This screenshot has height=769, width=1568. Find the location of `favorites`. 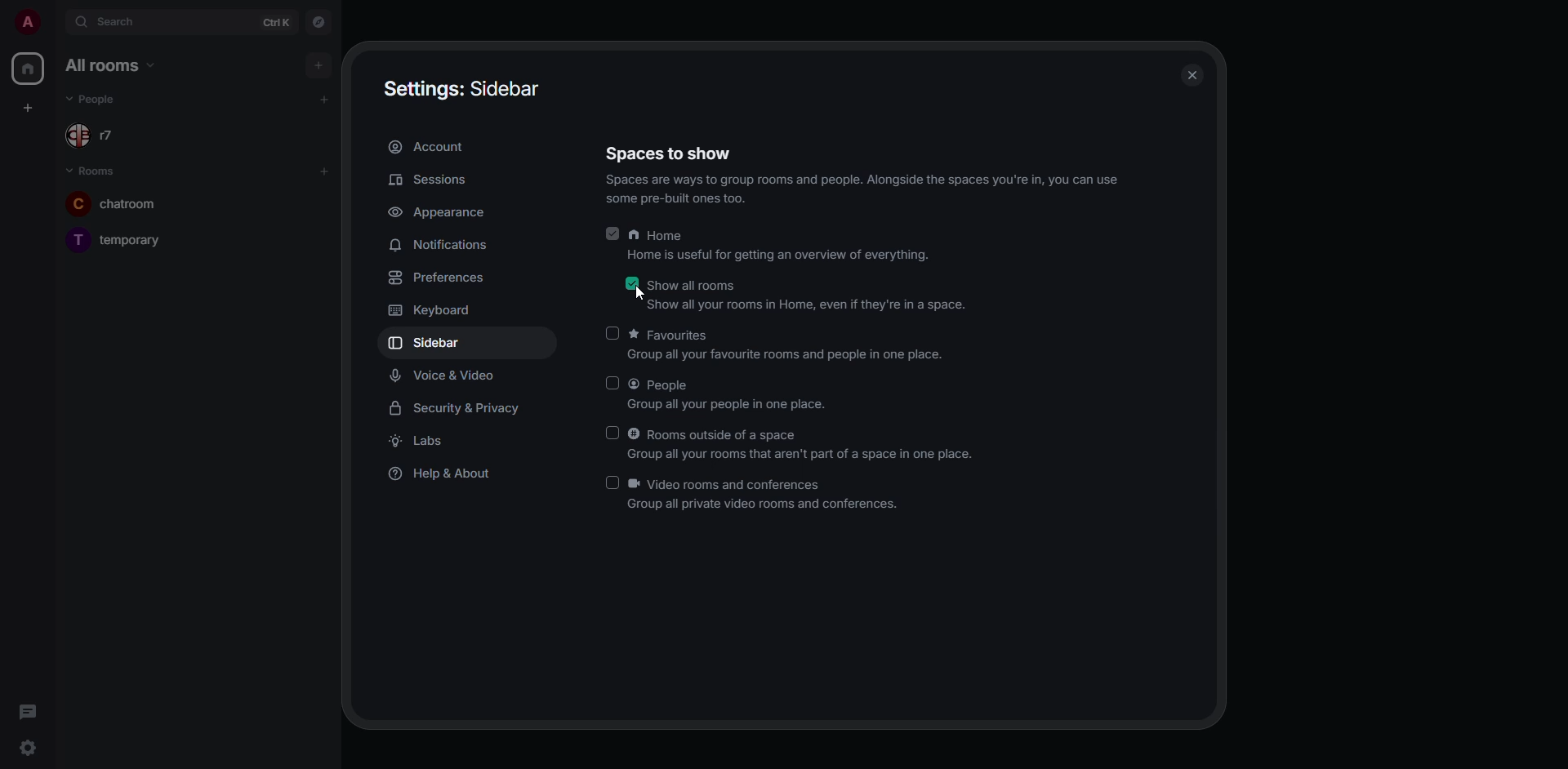

favorites is located at coordinates (789, 346).